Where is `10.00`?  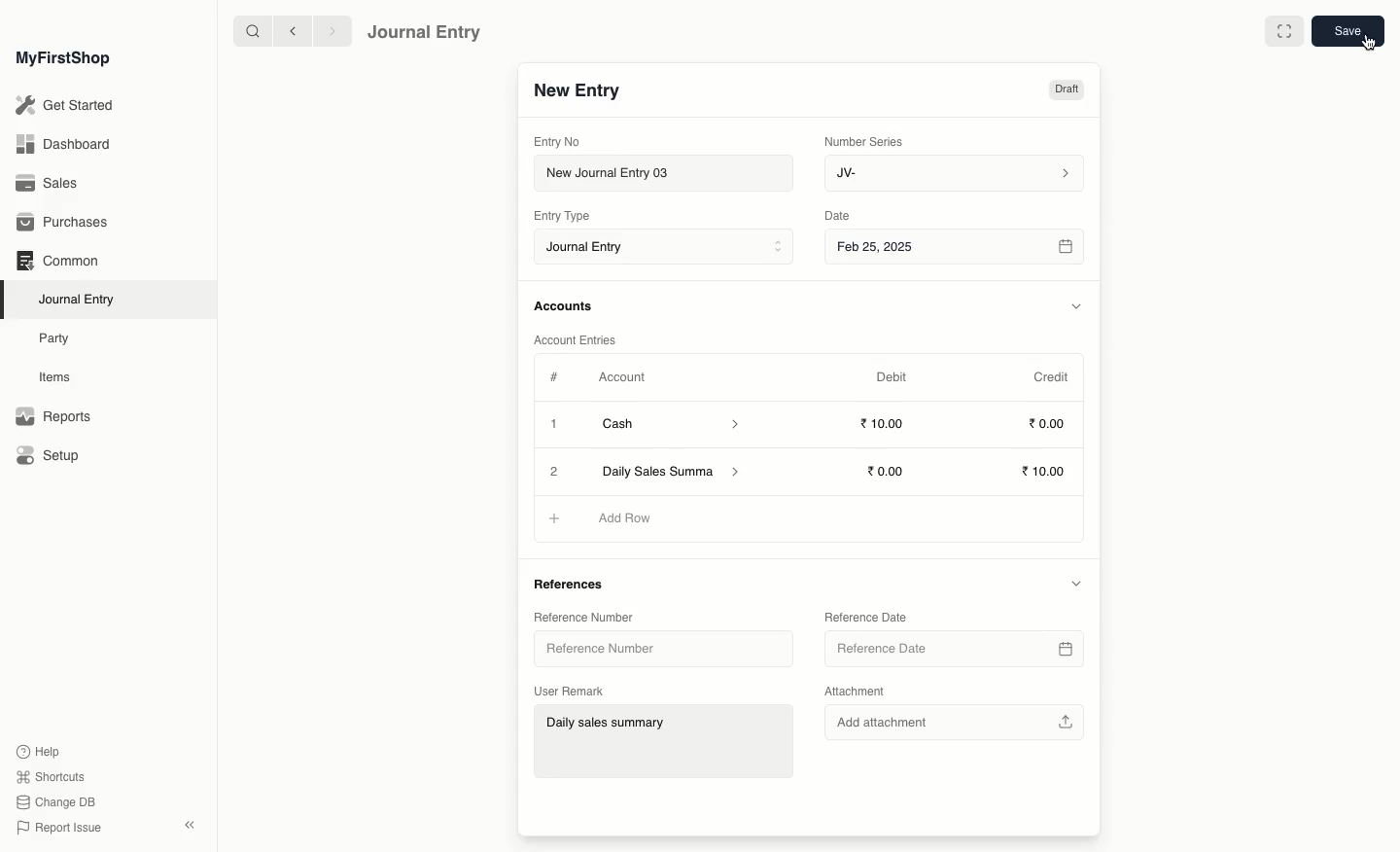 10.00 is located at coordinates (888, 424).